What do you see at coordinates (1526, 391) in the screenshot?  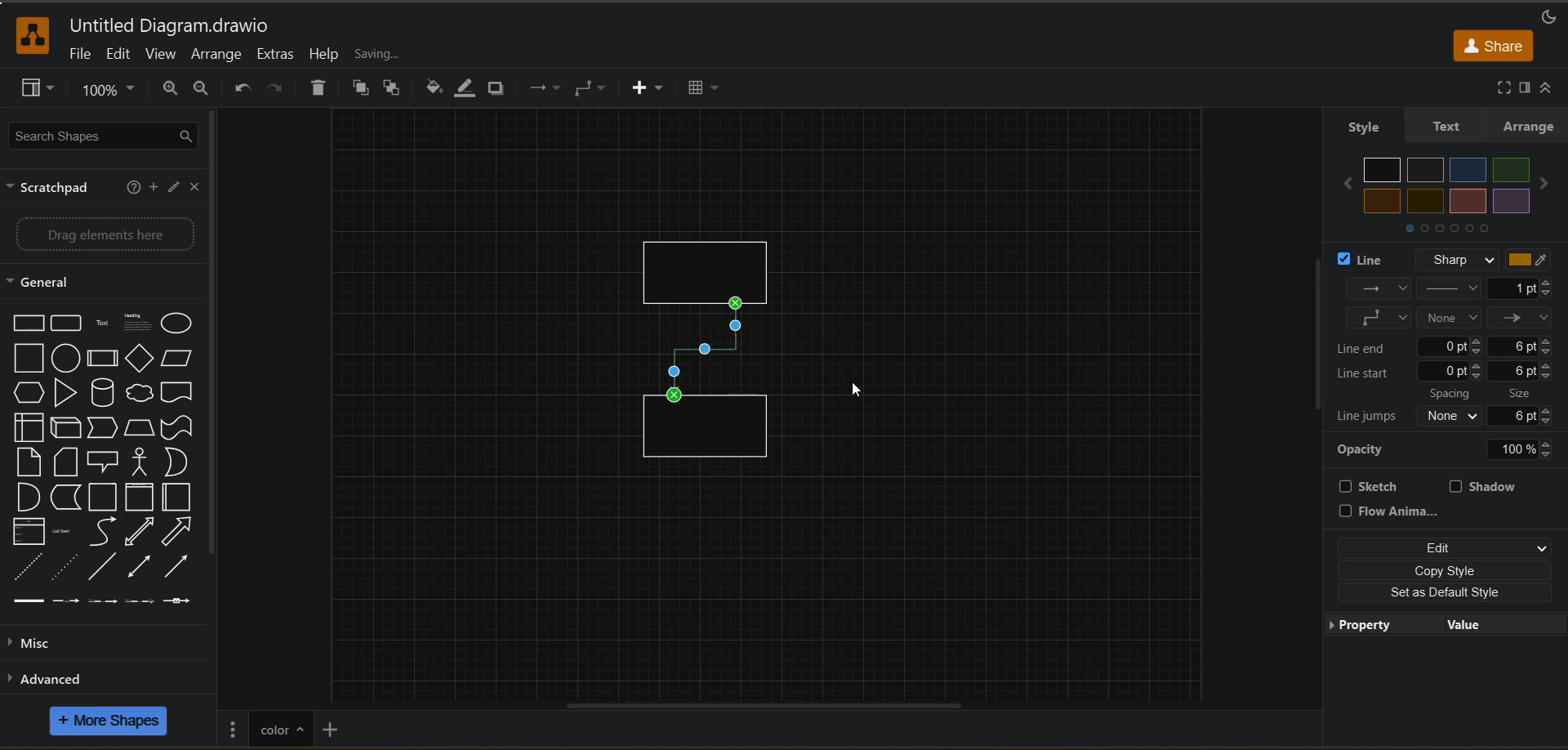 I see `Size` at bounding box center [1526, 391].